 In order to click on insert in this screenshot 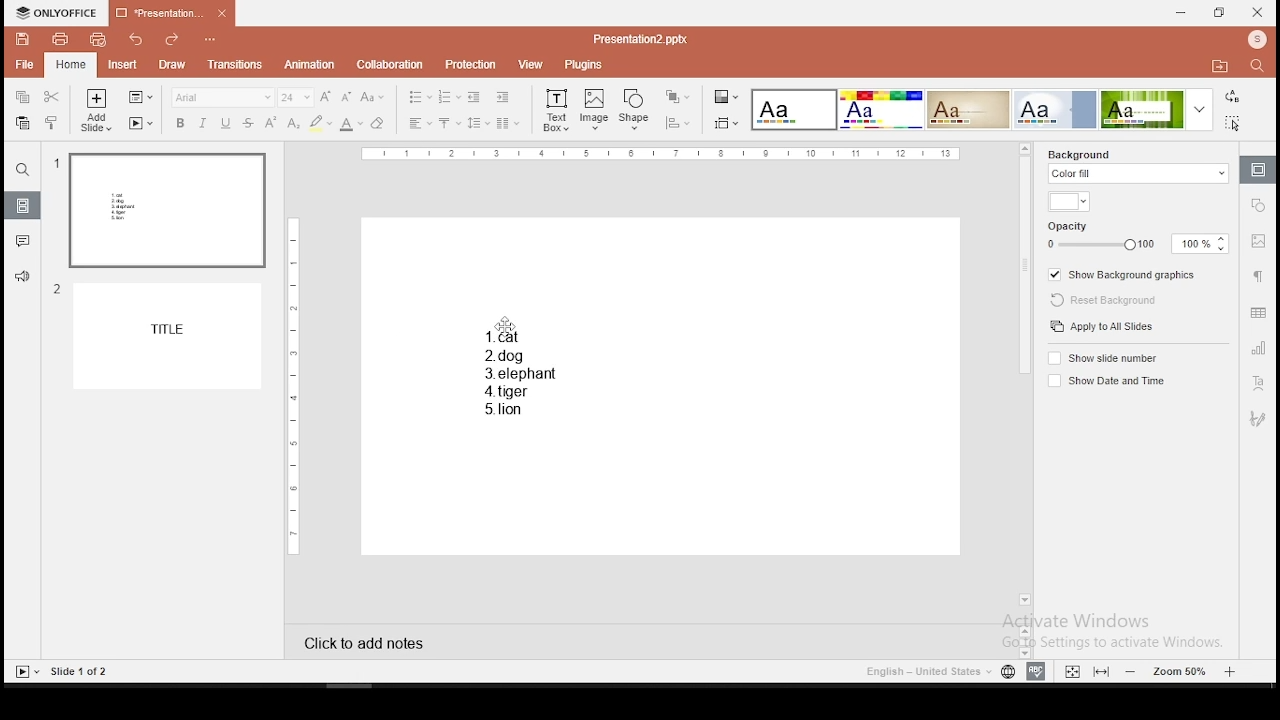, I will do `click(121, 64)`.